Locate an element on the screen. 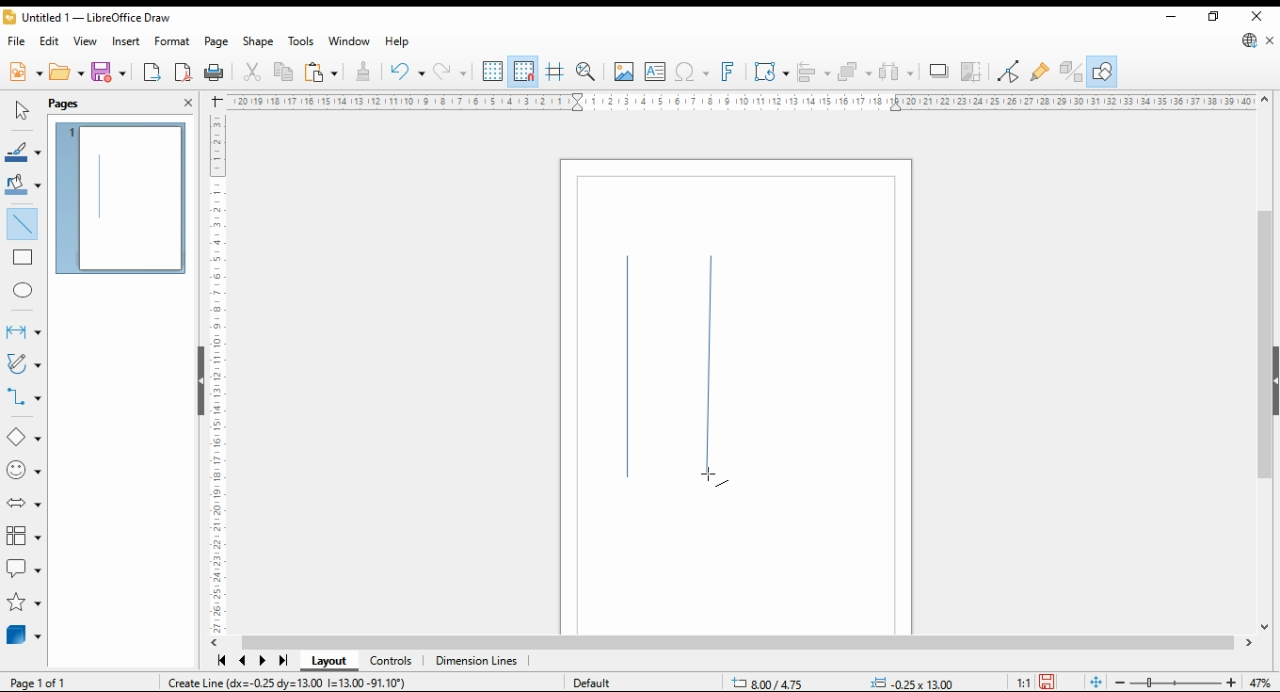 This screenshot has height=692, width=1280. callout shapes is located at coordinates (24, 569).